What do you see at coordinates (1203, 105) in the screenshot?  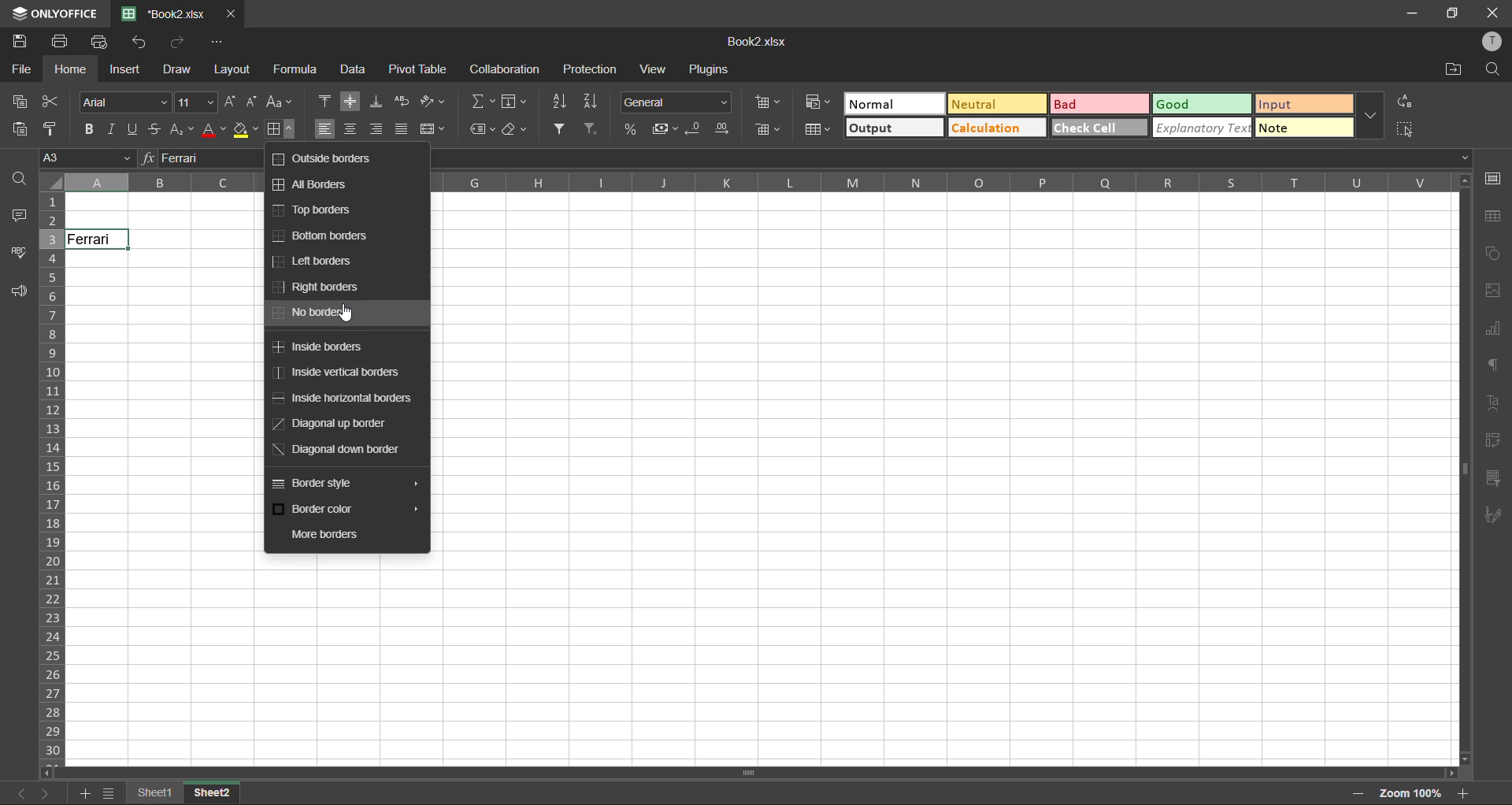 I see `good` at bounding box center [1203, 105].